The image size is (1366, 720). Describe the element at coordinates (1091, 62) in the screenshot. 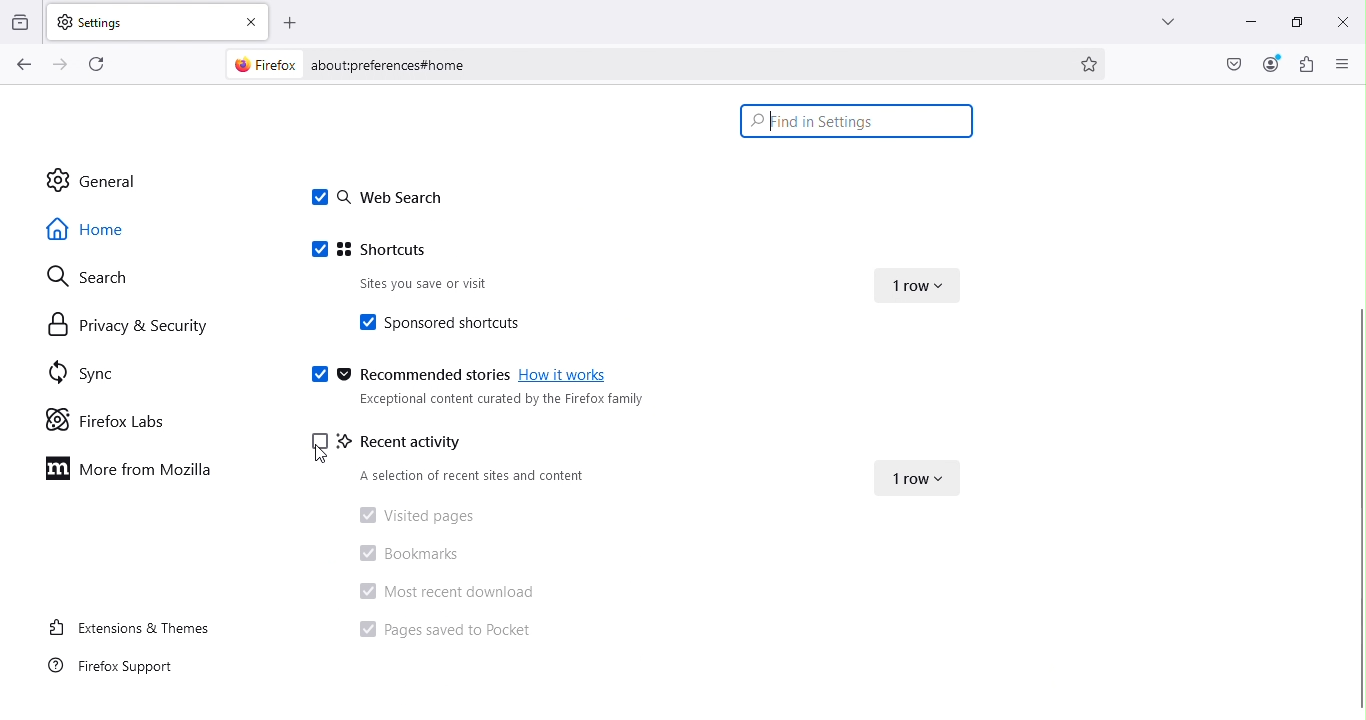

I see `Bookmark this page` at that location.